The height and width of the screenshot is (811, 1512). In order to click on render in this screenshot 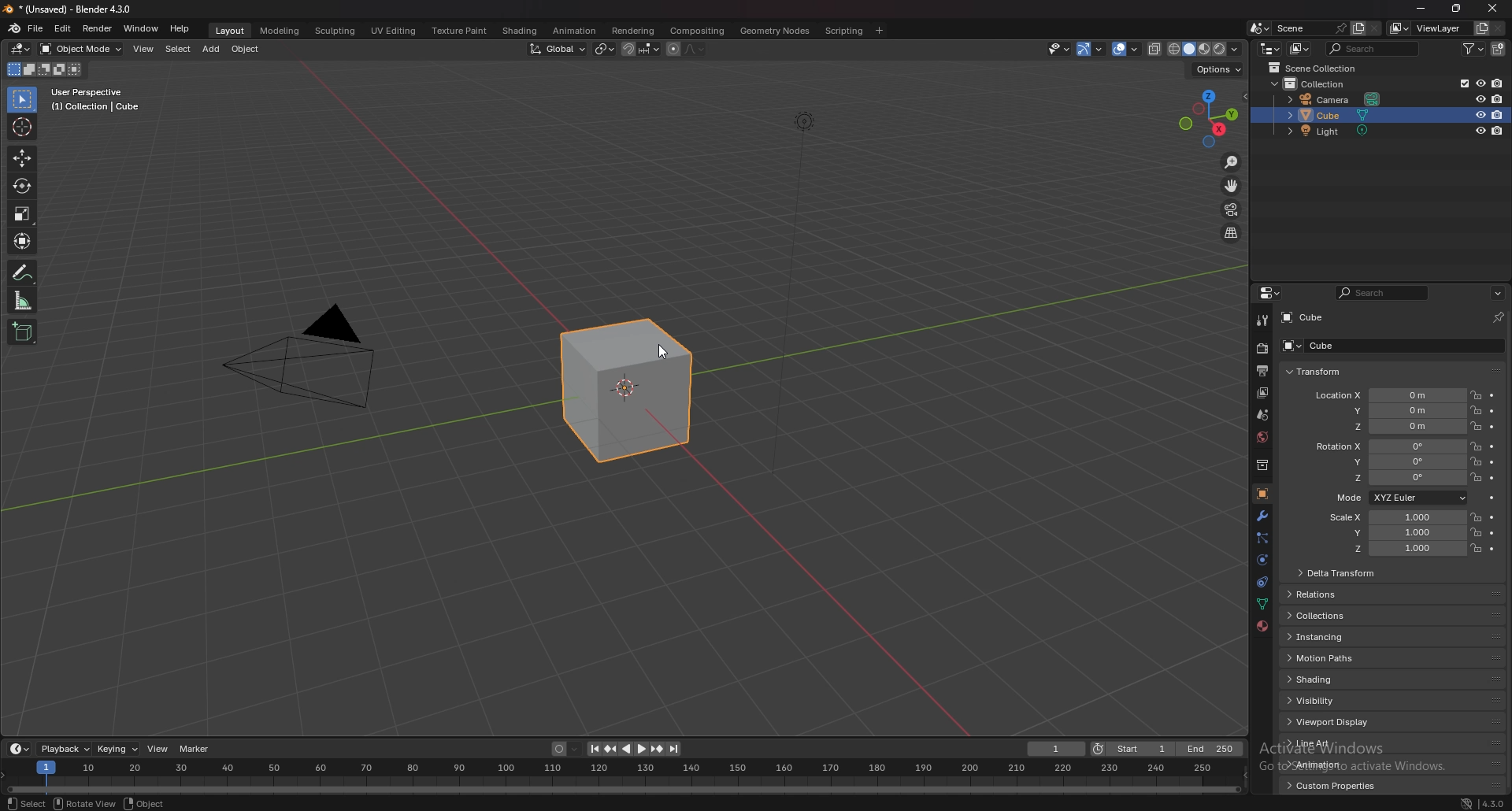, I will do `click(98, 28)`.